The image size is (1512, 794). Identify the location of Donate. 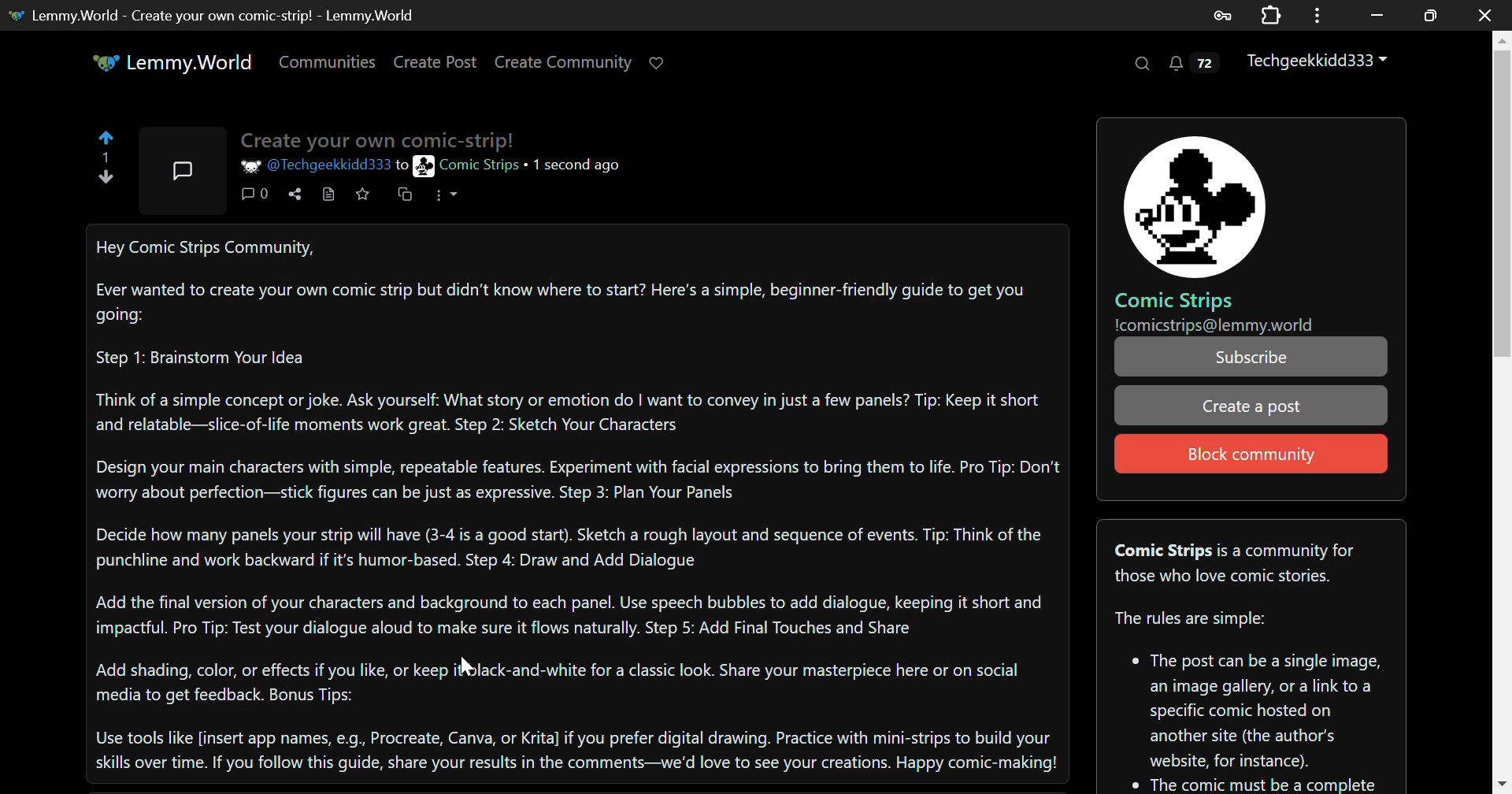
(661, 61).